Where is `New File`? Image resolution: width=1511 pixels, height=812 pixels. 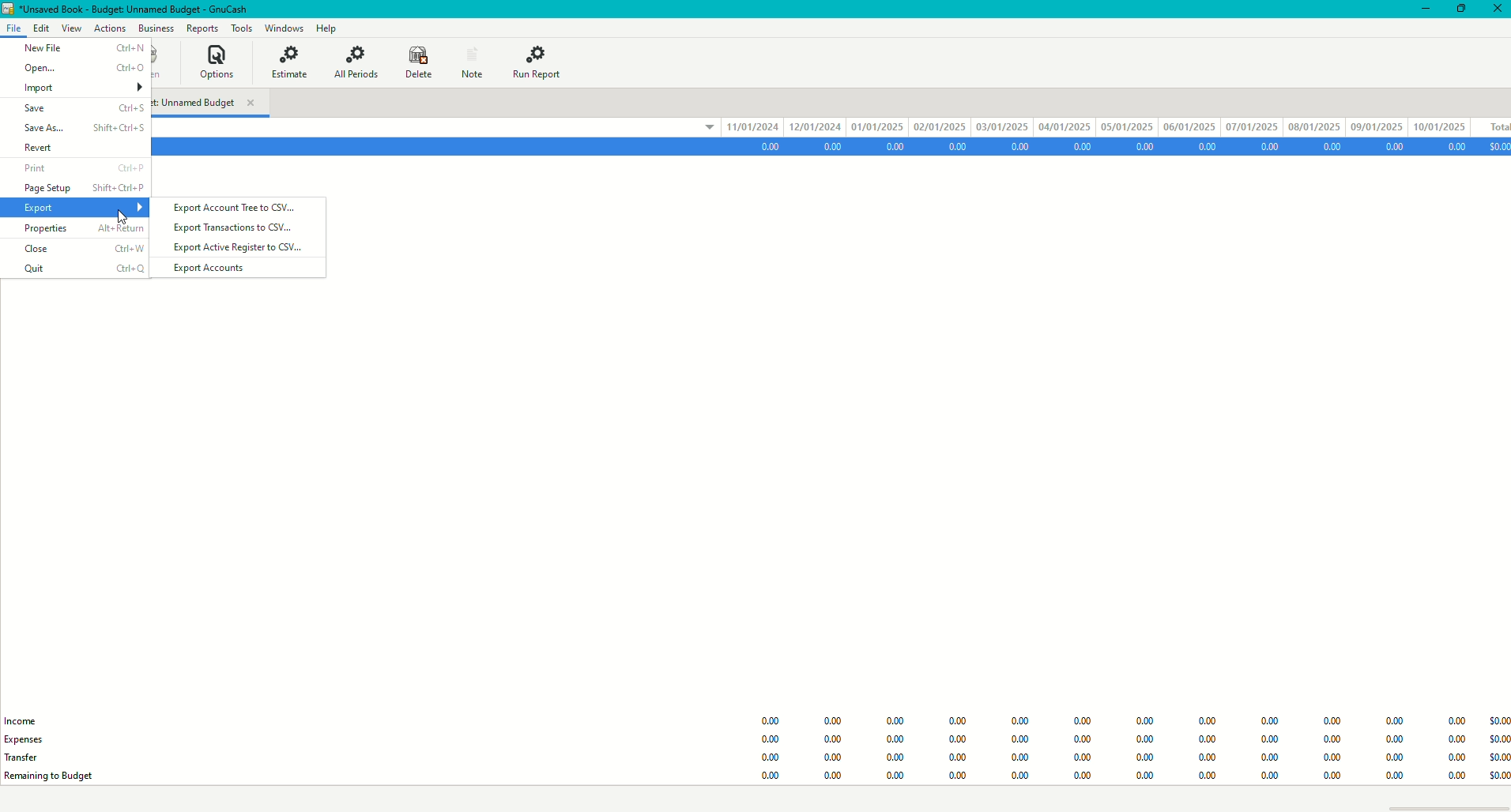 New File is located at coordinates (85, 47).